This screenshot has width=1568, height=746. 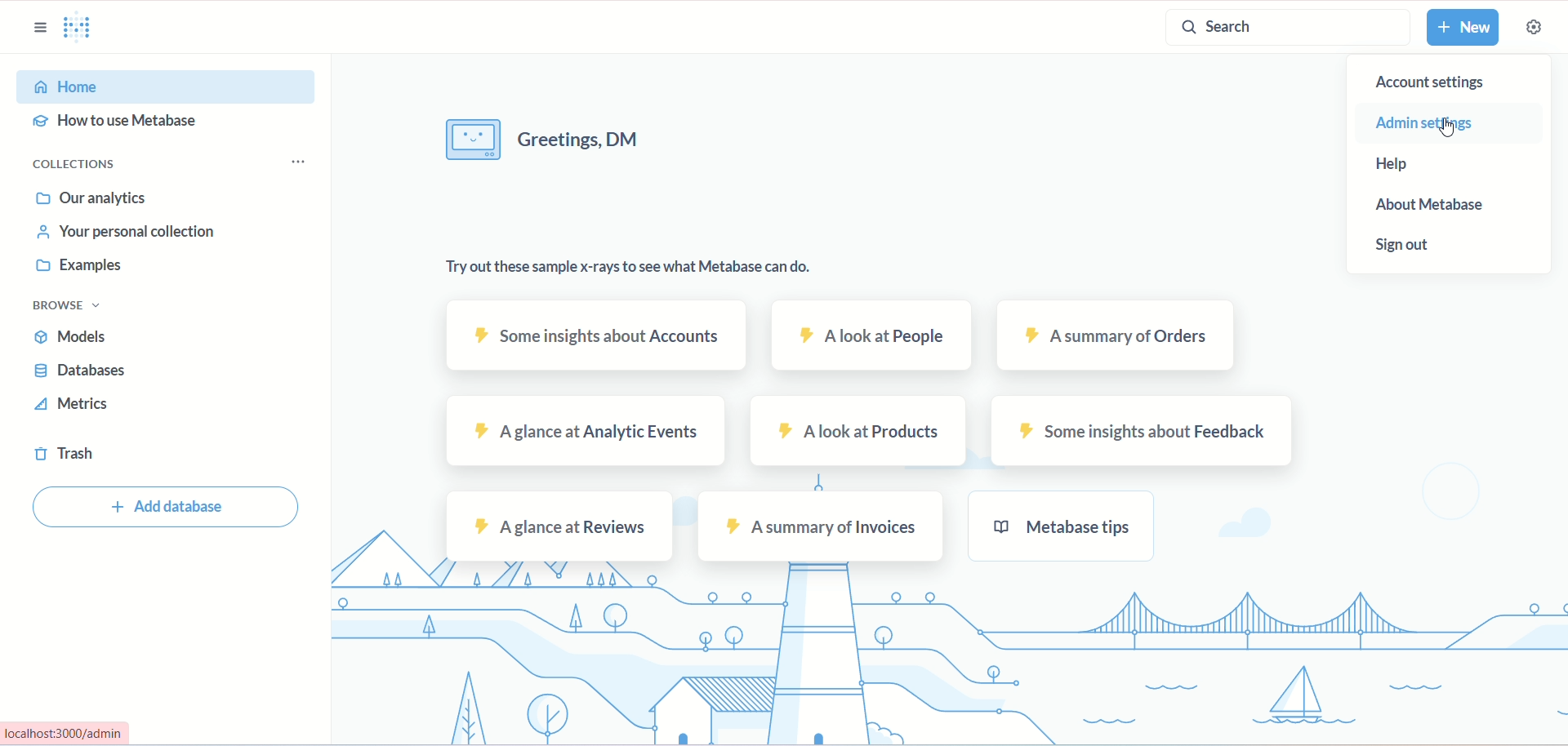 I want to click on models, so click(x=72, y=337).